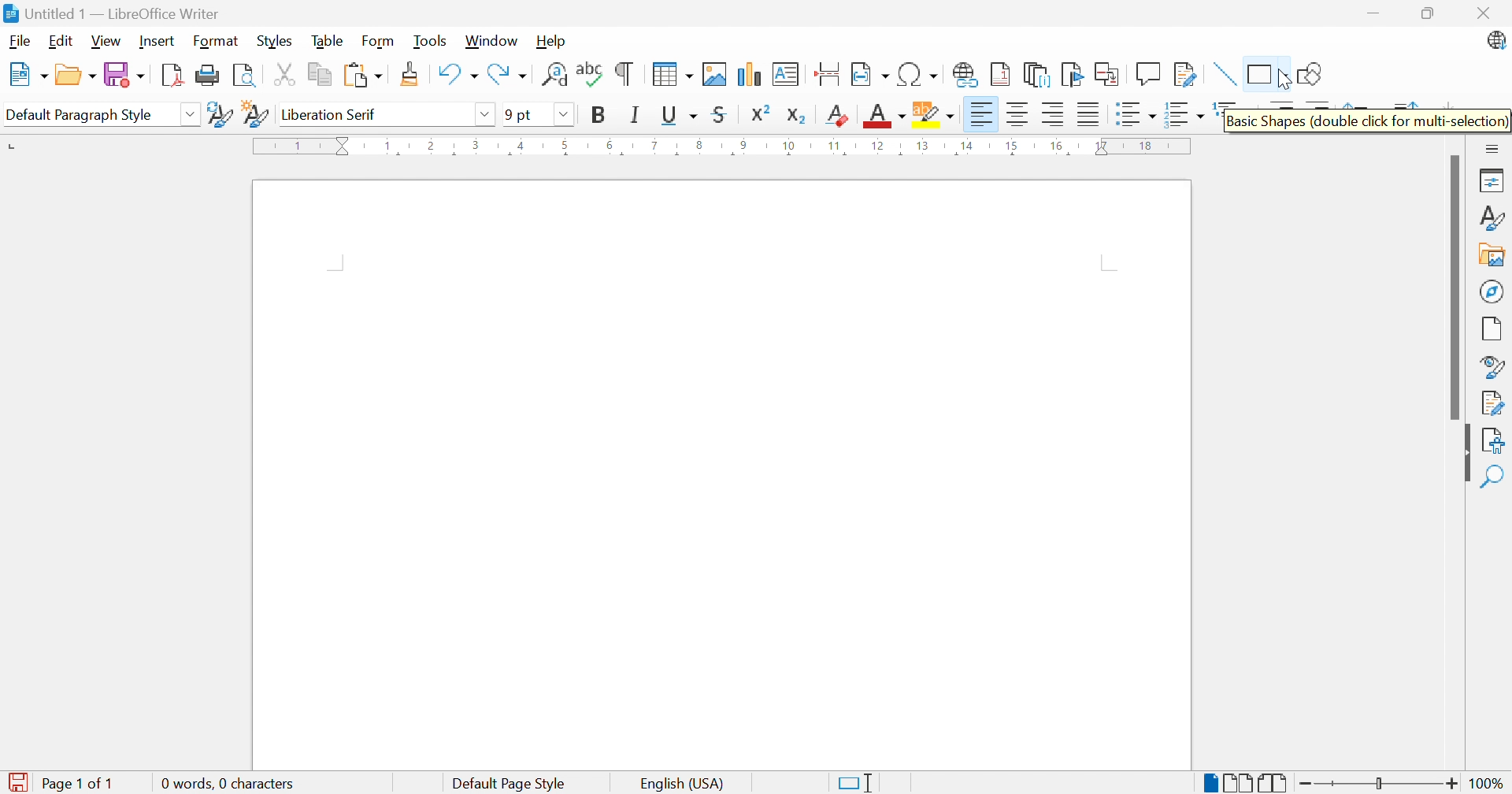 This screenshot has width=1512, height=794. What do you see at coordinates (591, 72) in the screenshot?
I see `Check spelling` at bounding box center [591, 72].